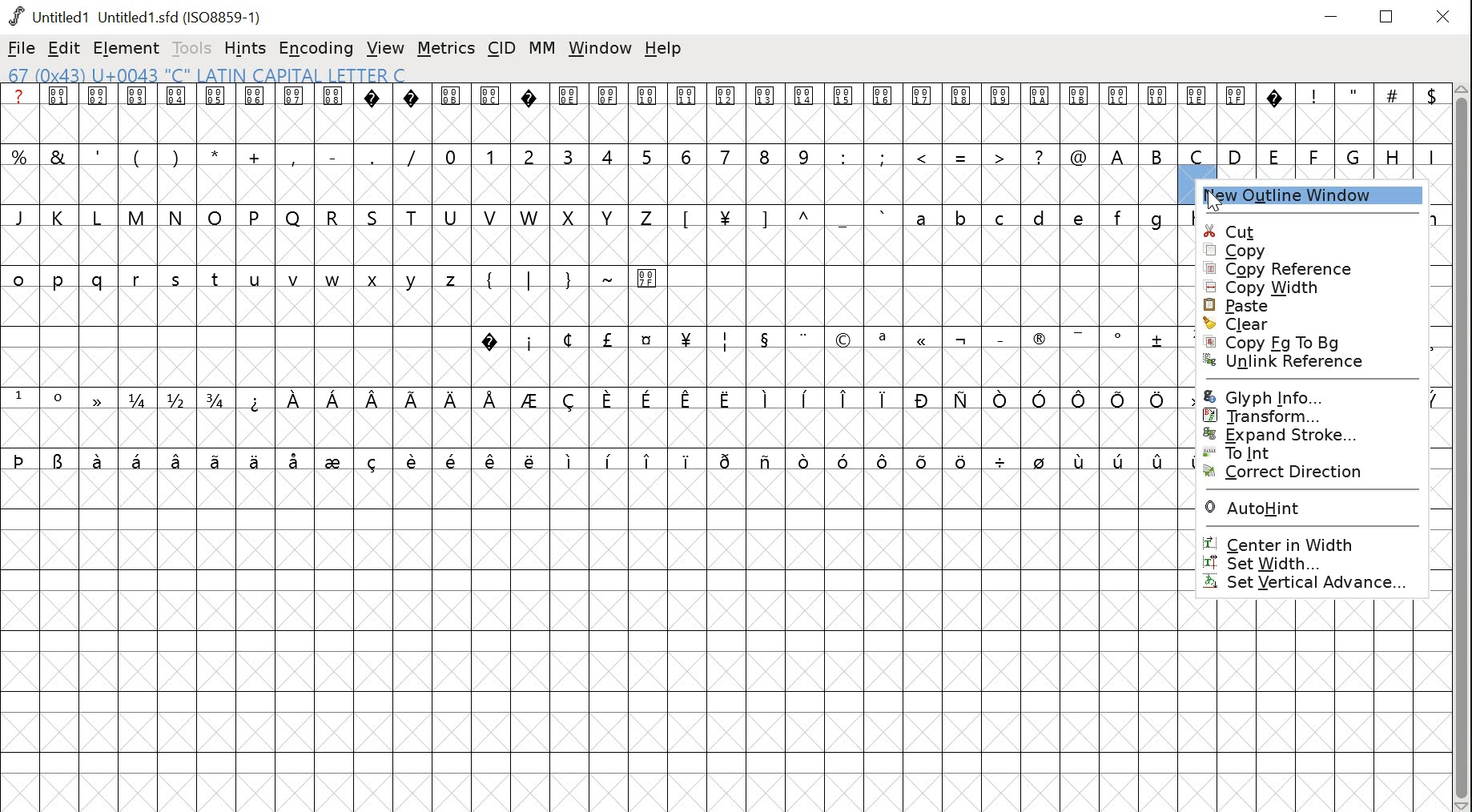  I want to click on scrollbar, so click(1463, 448).